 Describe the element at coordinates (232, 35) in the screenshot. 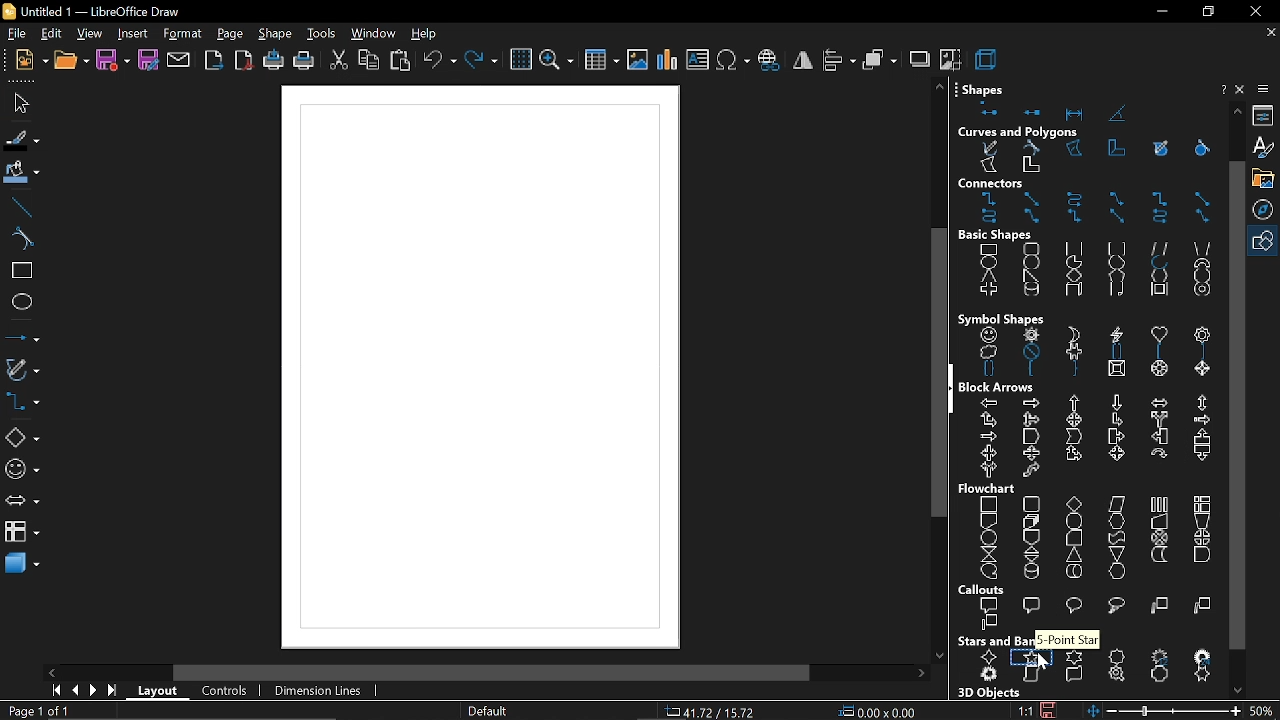

I see `page` at that location.